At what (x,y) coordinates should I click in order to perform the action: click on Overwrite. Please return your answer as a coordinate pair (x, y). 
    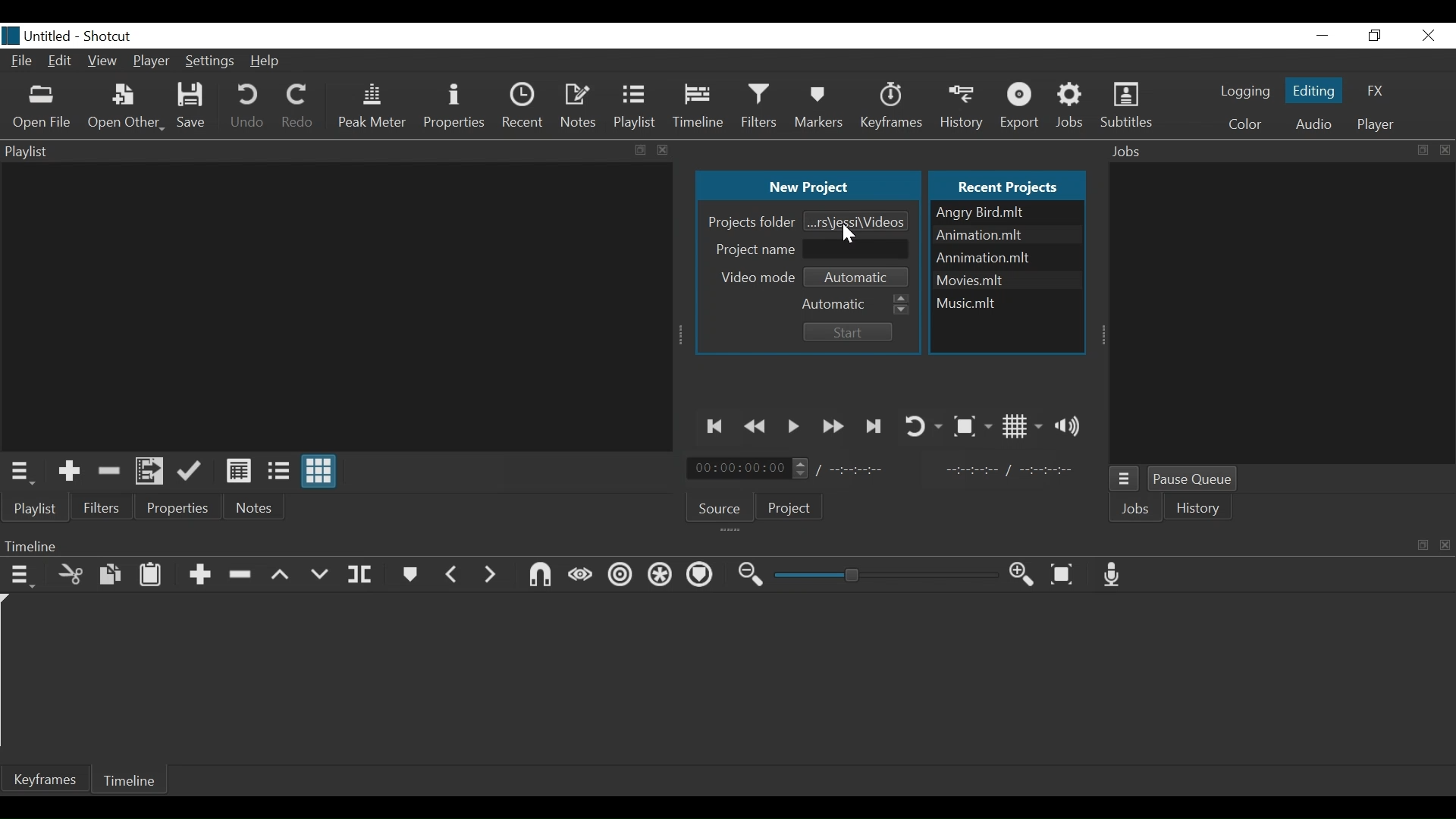
    Looking at the image, I should click on (319, 575).